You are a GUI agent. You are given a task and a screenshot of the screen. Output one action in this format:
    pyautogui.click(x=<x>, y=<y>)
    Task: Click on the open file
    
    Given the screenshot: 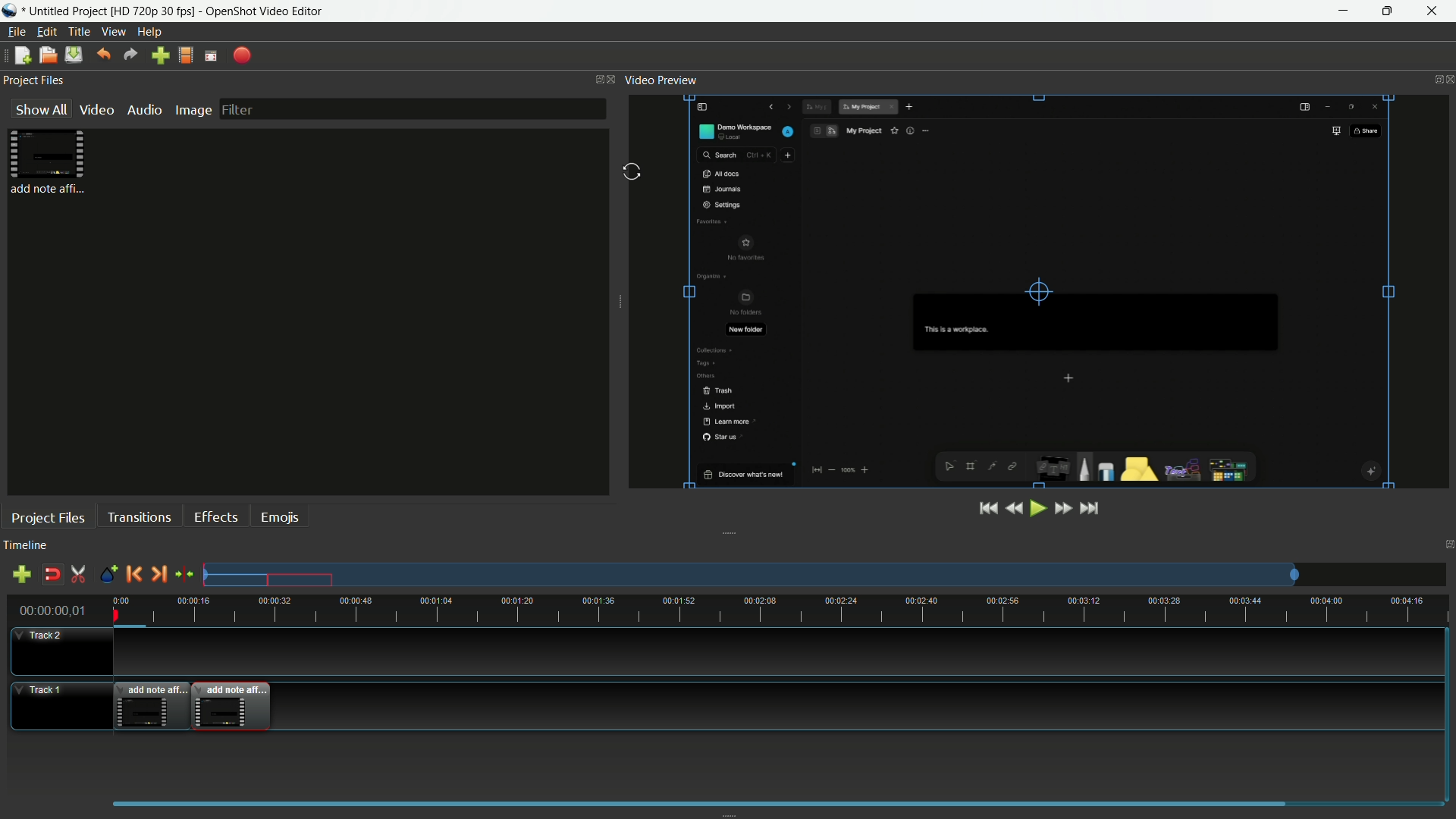 What is the action you would take?
    pyautogui.click(x=46, y=55)
    